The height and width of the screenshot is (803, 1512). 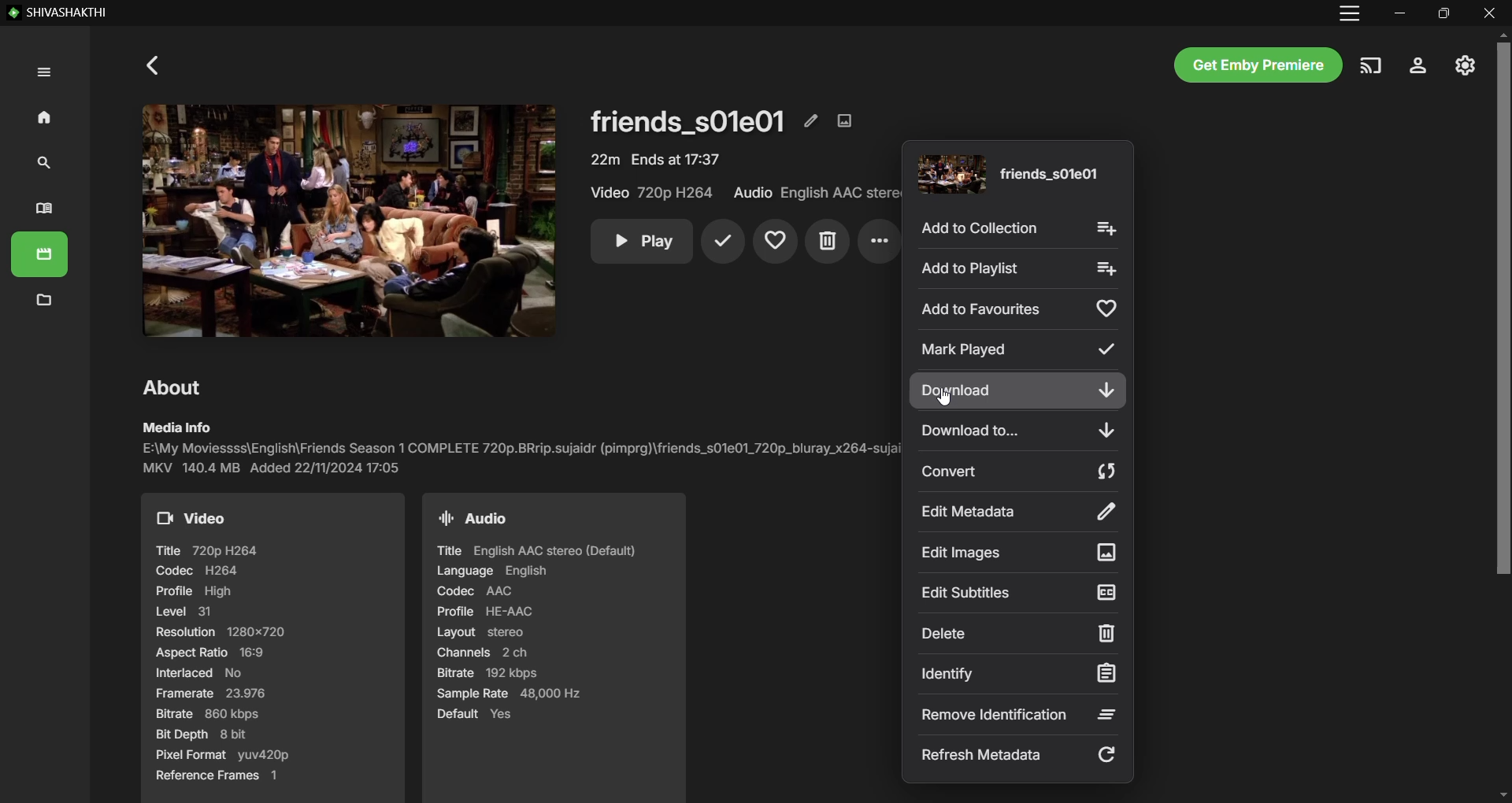 I want to click on Video Quality, so click(x=654, y=193).